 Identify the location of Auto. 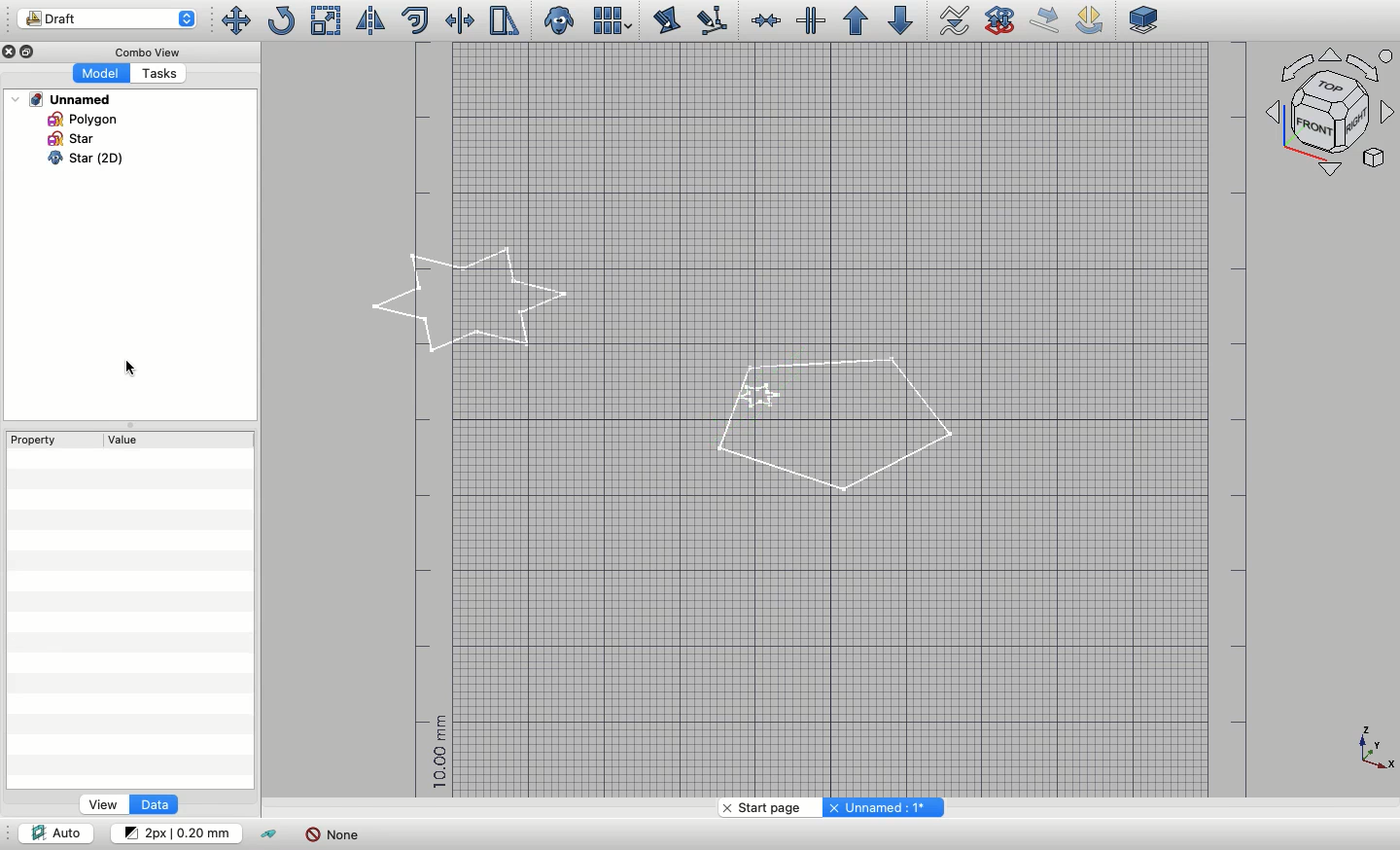
(55, 832).